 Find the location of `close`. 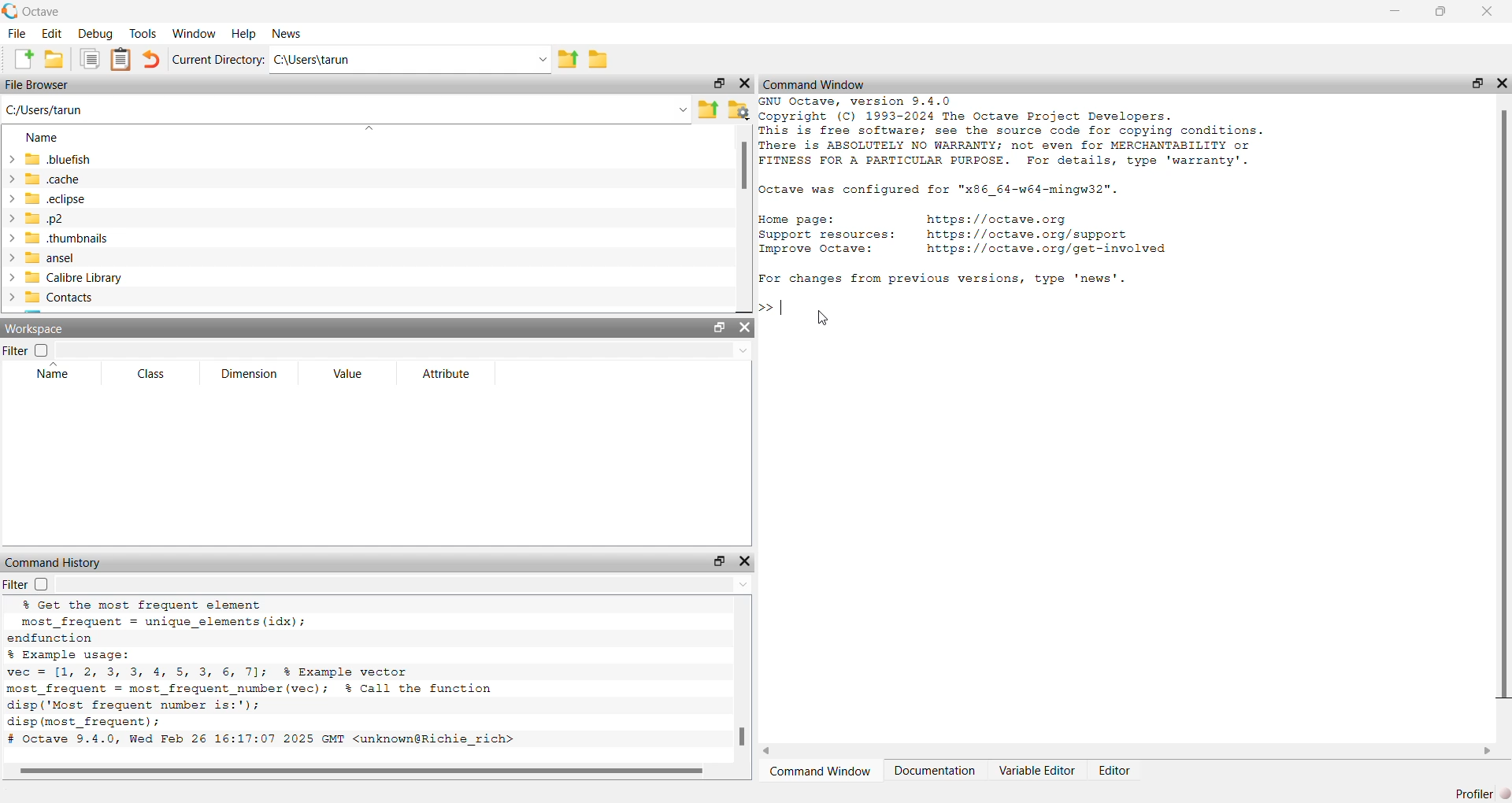

close is located at coordinates (1486, 11).